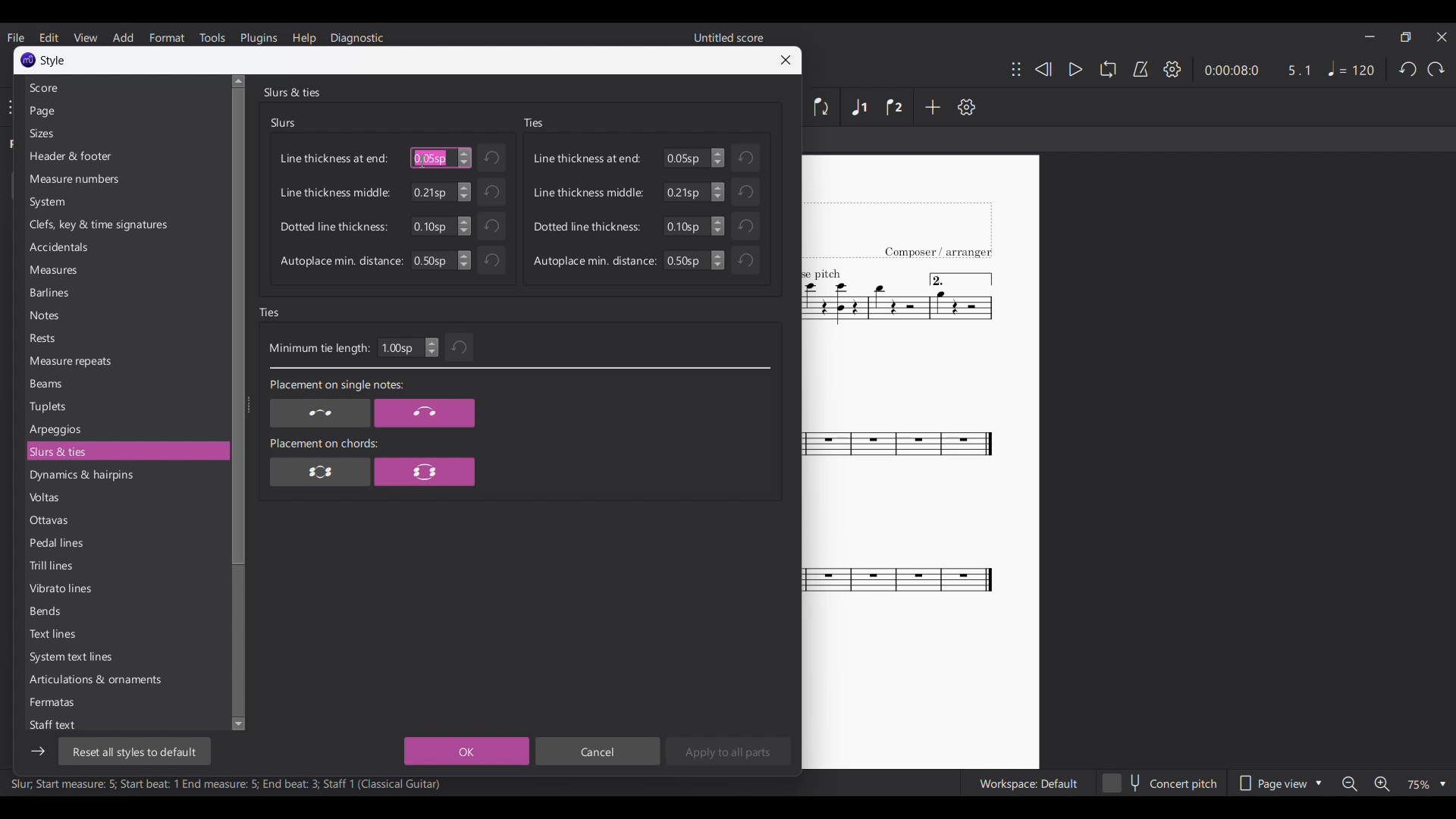 This screenshot has height=819, width=1456. Describe the element at coordinates (17, 37) in the screenshot. I see `File menu` at that location.